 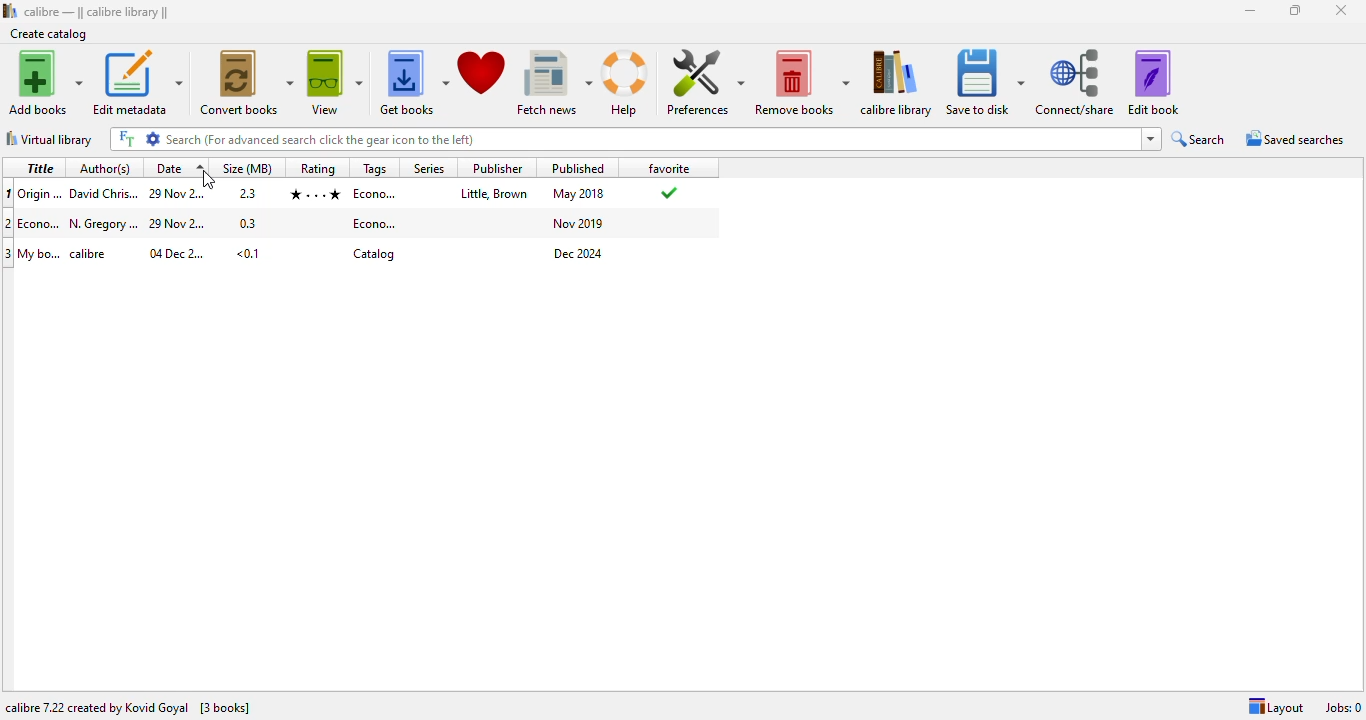 I want to click on calibre 7.22 created by Kovid Goyal, so click(x=97, y=708).